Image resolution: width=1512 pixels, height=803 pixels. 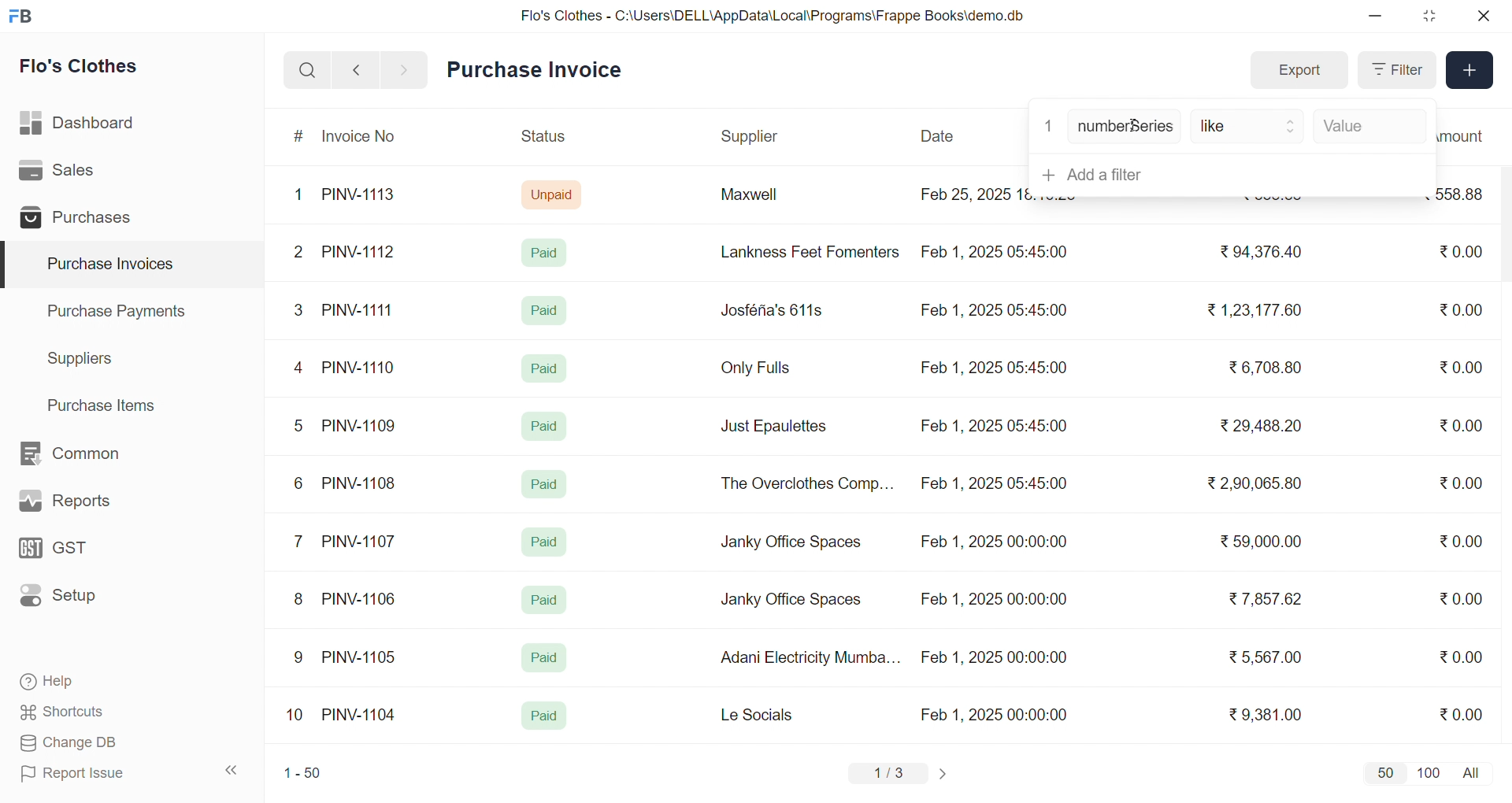 I want to click on 3, so click(x=298, y=309).